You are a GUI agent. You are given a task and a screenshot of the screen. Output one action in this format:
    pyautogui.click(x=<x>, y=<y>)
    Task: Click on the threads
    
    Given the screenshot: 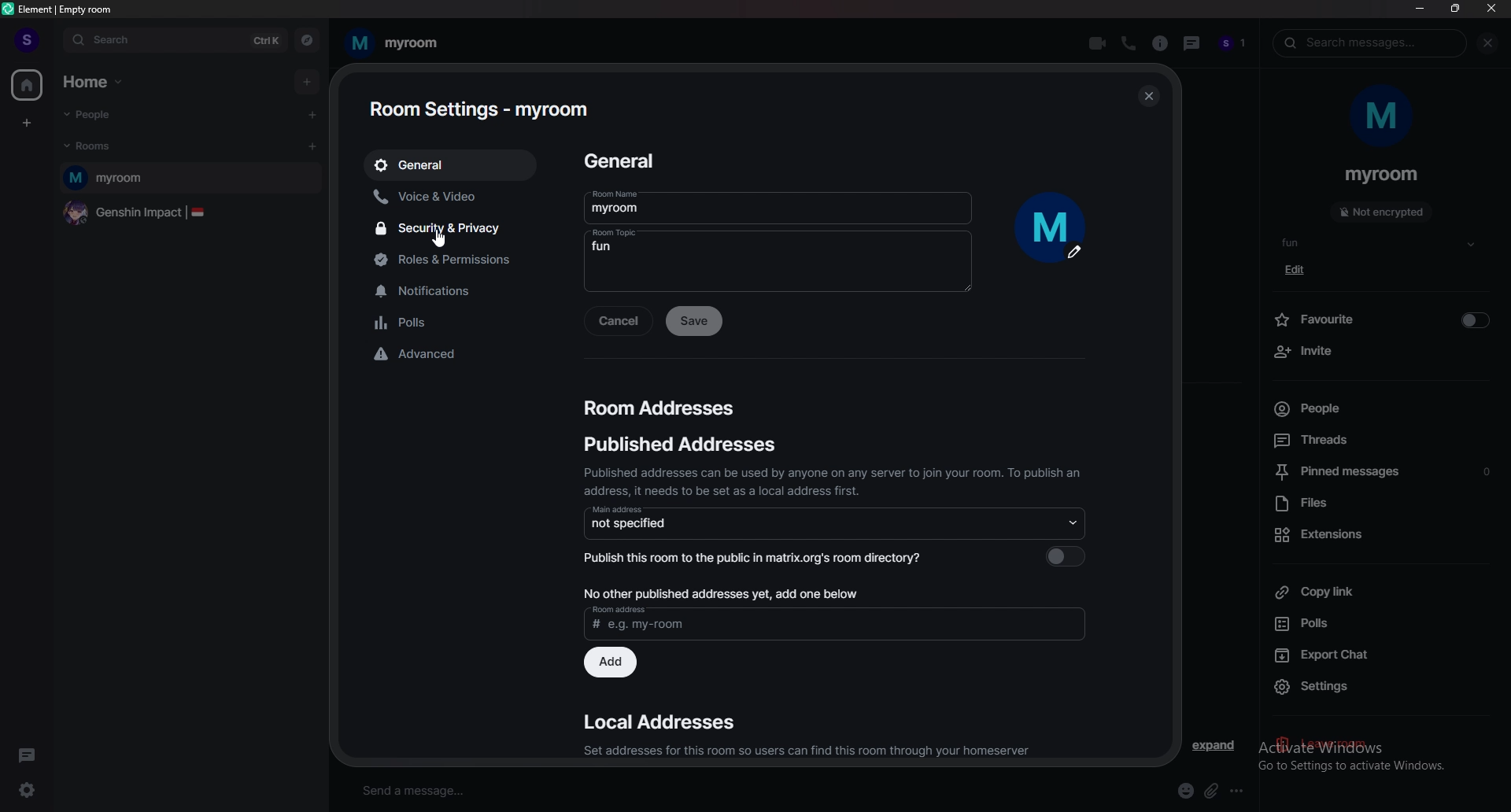 What is the action you would take?
    pyautogui.click(x=1380, y=440)
    